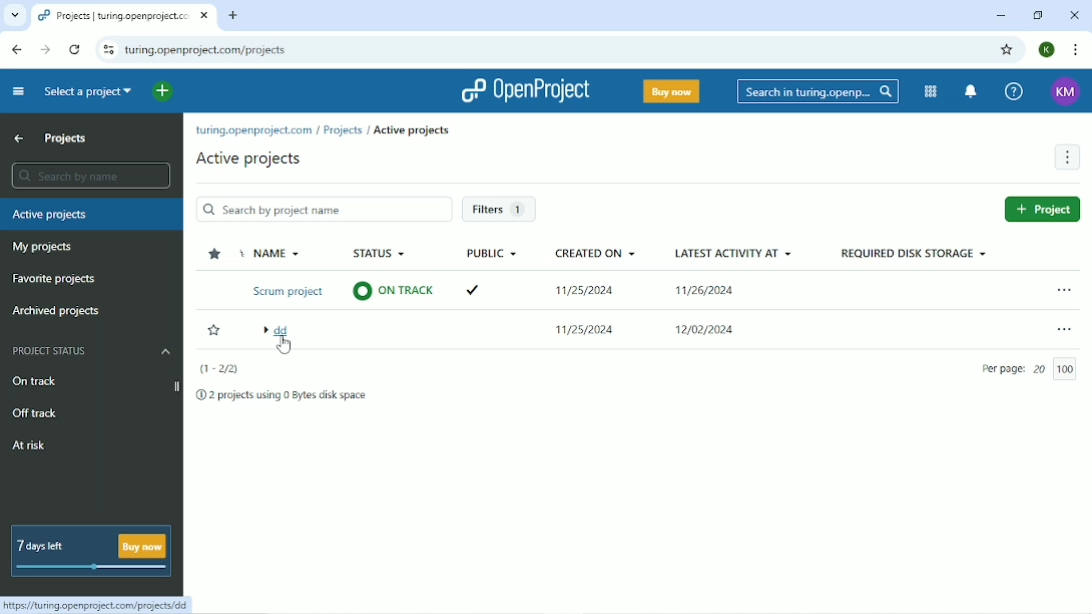 The width and height of the screenshot is (1092, 614). What do you see at coordinates (55, 380) in the screenshot?
I see `On track` at bounding box center [55, 380].